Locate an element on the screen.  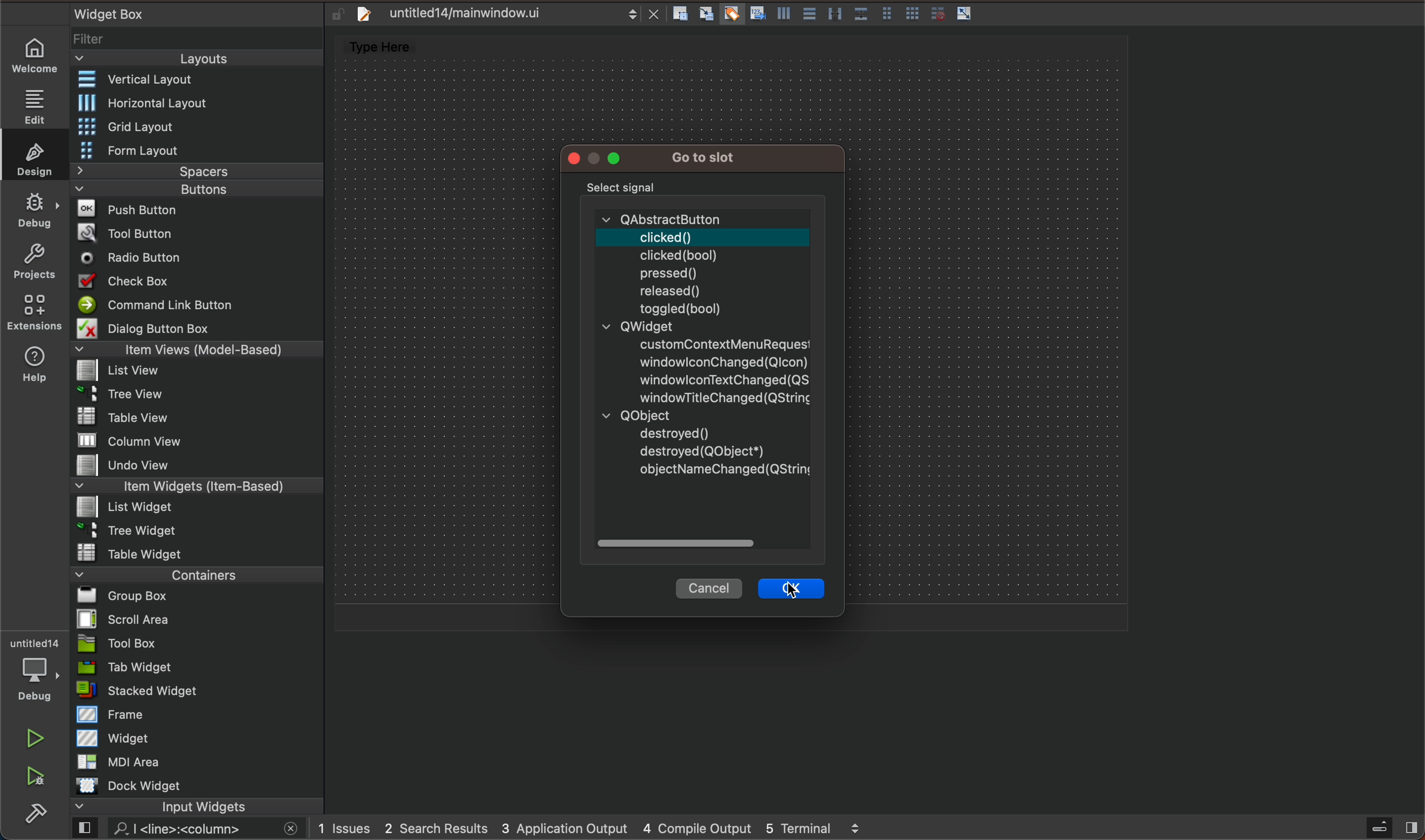
tab widget is located at coordinates (196, 668).